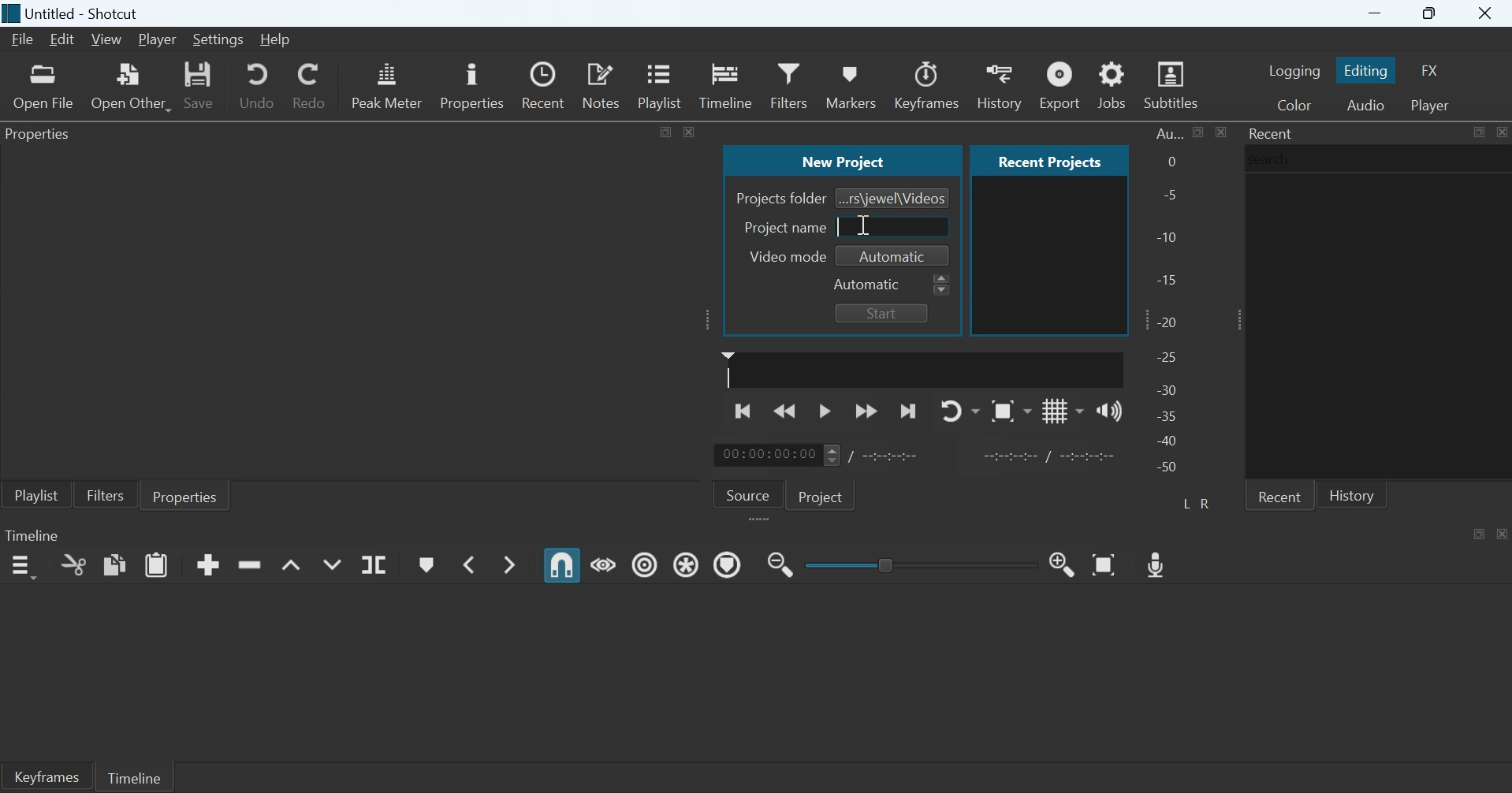 The width and height of the screenshot is (1512, 793). I want to click on Recent, so click(1279, 495).